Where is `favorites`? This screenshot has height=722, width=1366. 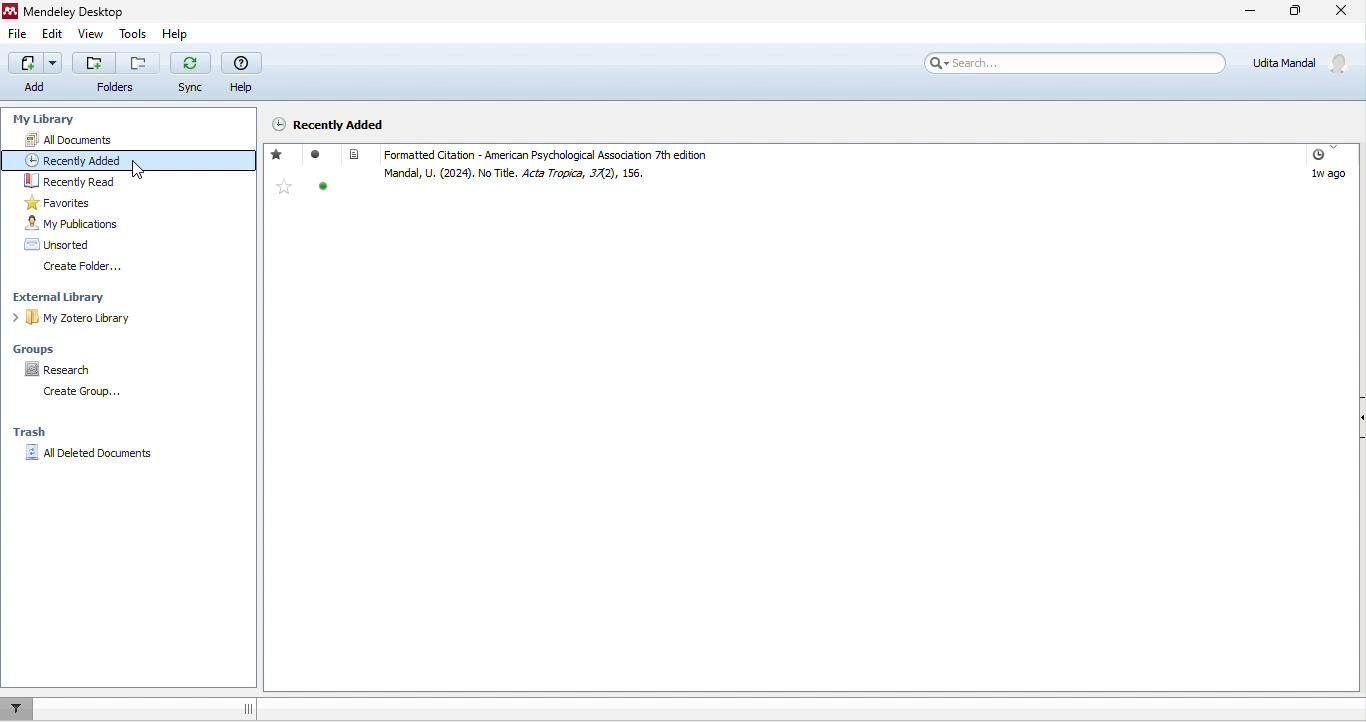
favorites is located at coordinates (277, 155).